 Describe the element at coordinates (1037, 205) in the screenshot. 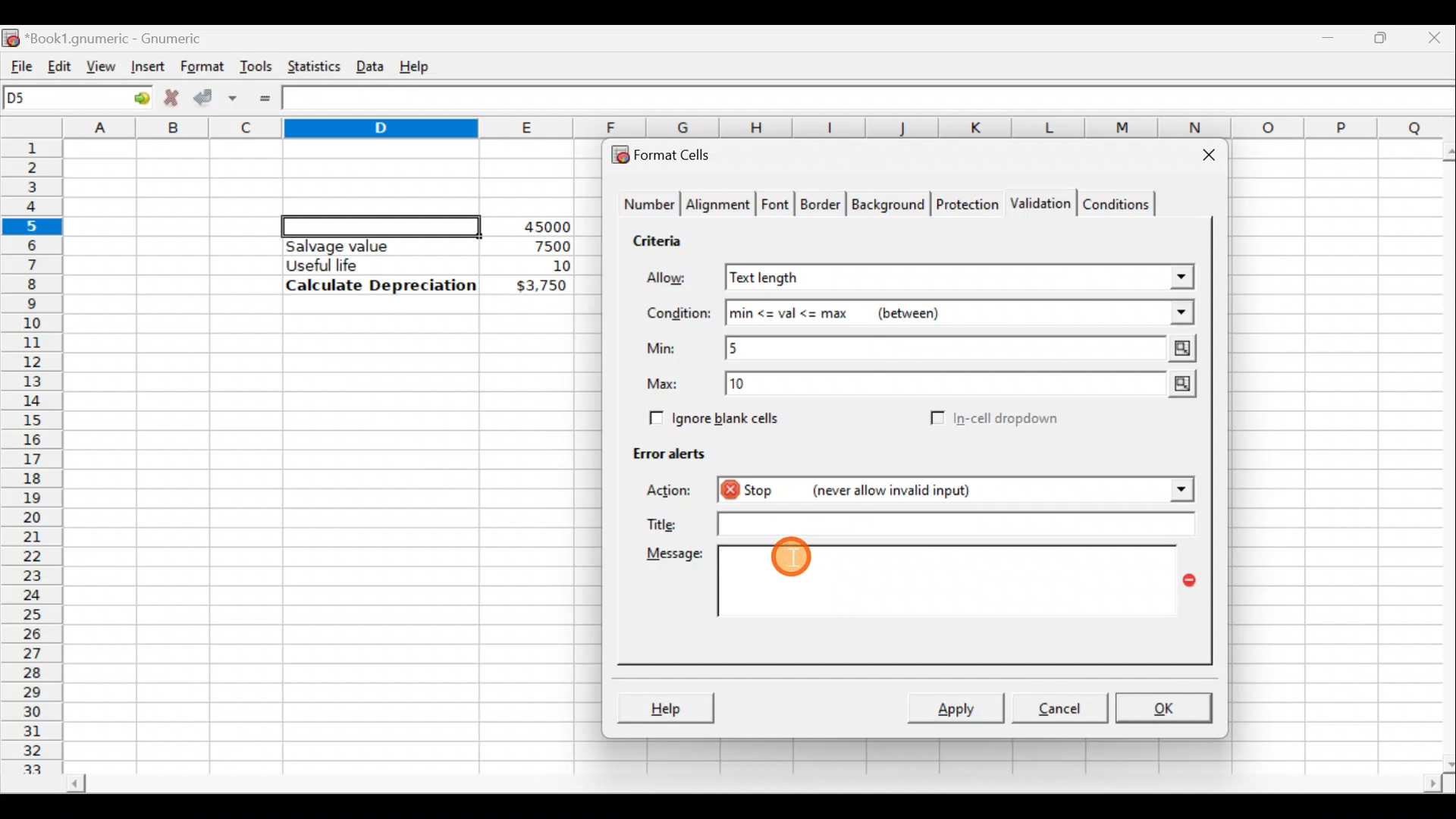

I see `Validation` at that location.